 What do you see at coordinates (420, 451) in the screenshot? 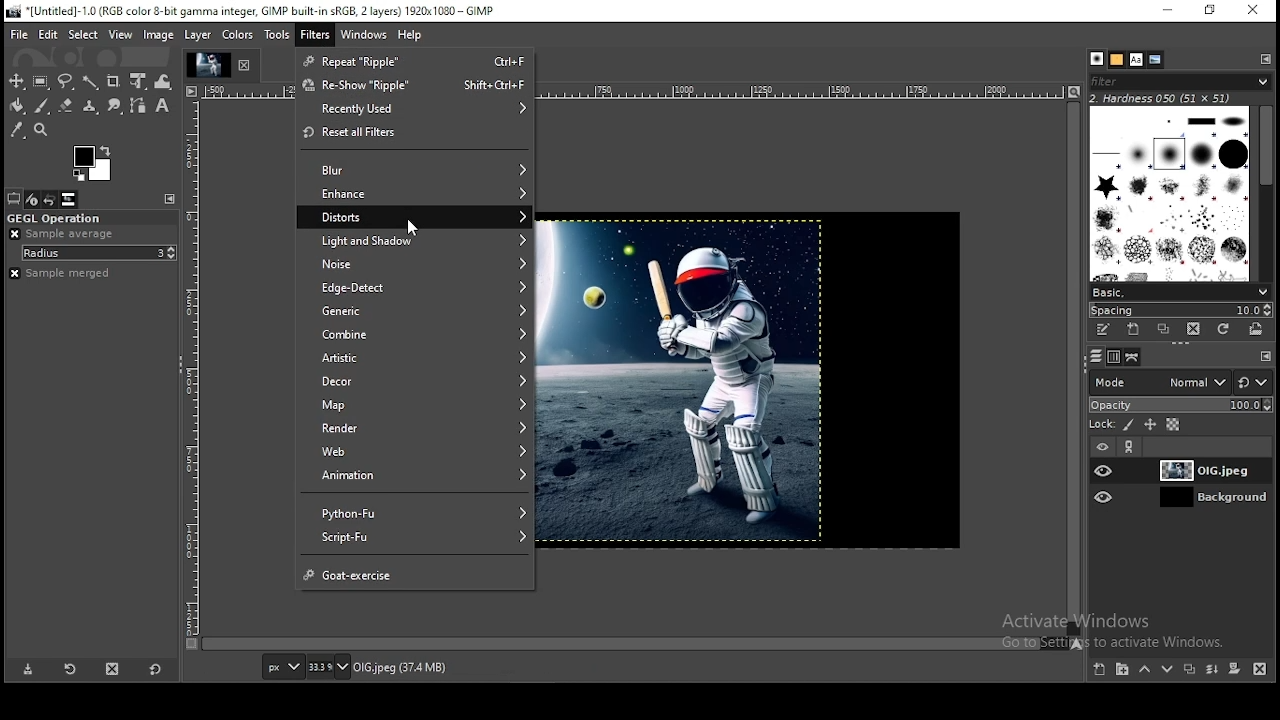
I see `web` at bounding box center [420, 451].